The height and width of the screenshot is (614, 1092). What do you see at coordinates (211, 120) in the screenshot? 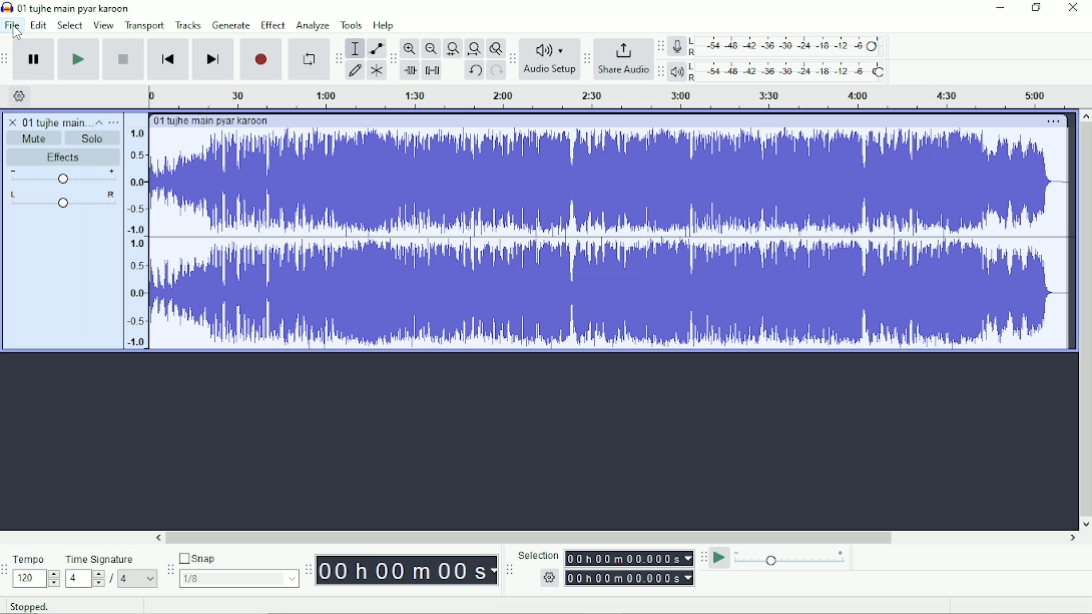
I see `Track title` at bounding box center [211, 120].